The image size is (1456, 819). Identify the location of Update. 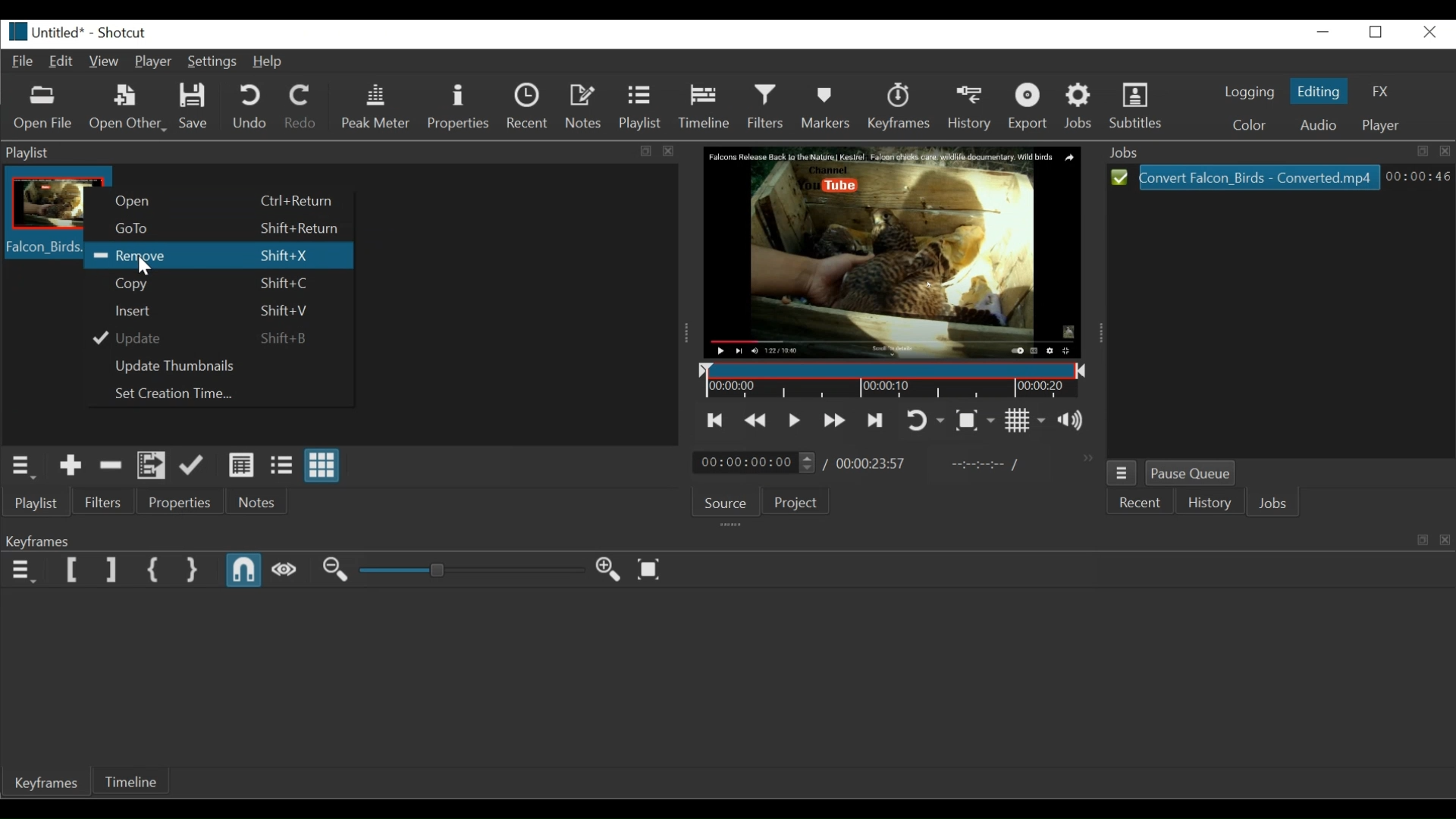
(193, 469).